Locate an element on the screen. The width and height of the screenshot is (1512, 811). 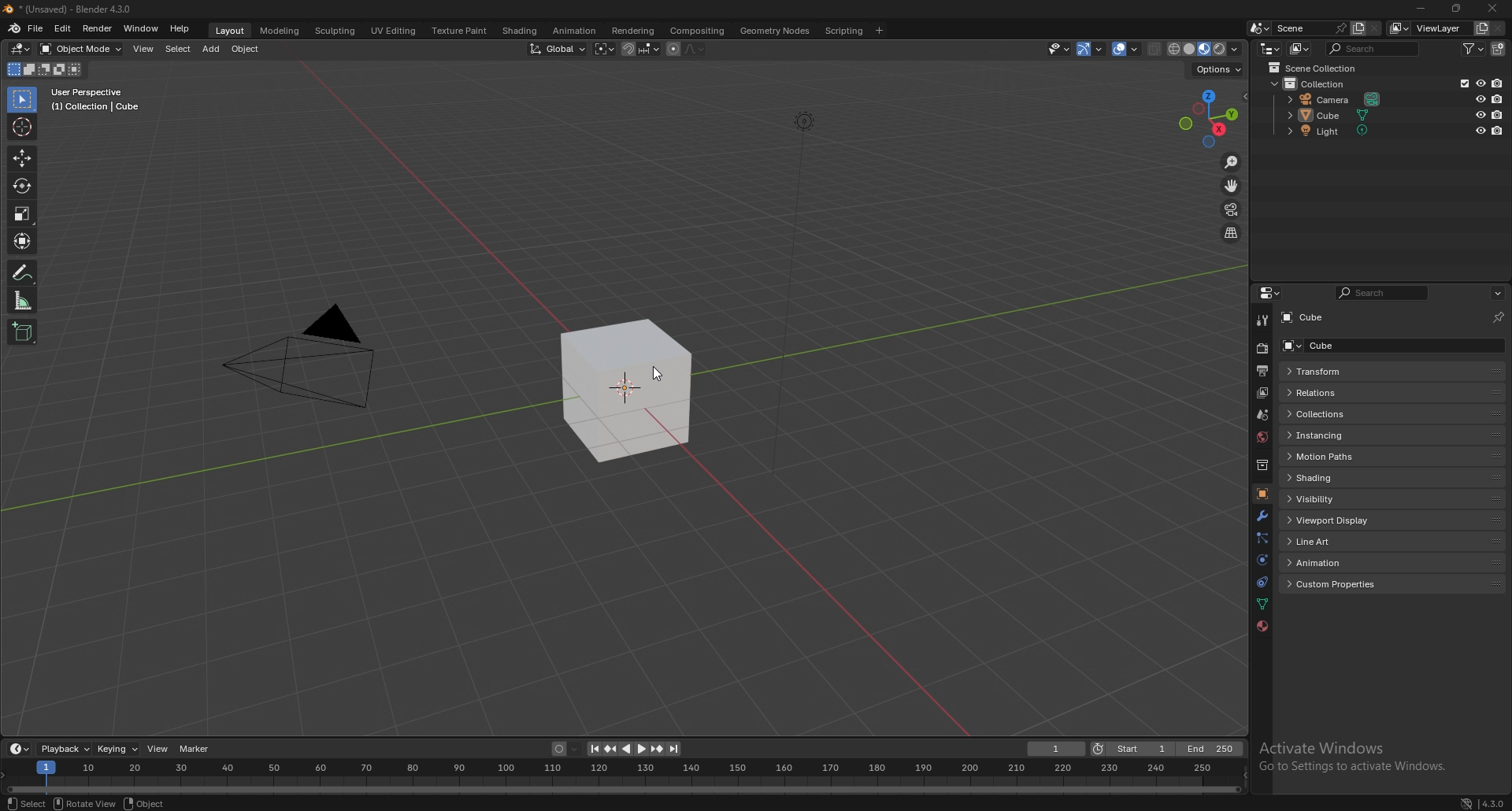
add is located at coordinates (212, 49).